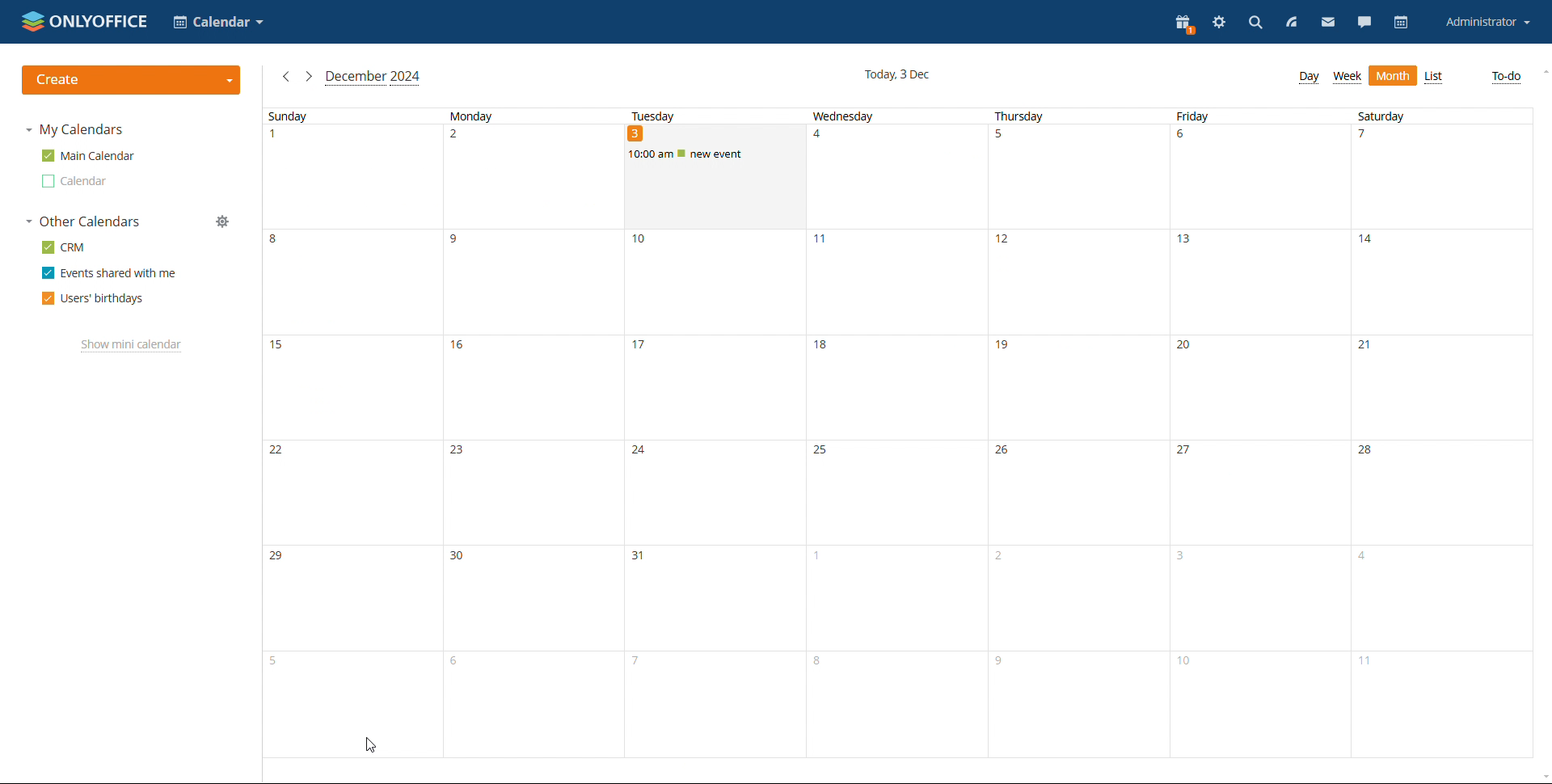  Describe the element at coordinates (533, 493) in the screenshot. I see `23` at that location.